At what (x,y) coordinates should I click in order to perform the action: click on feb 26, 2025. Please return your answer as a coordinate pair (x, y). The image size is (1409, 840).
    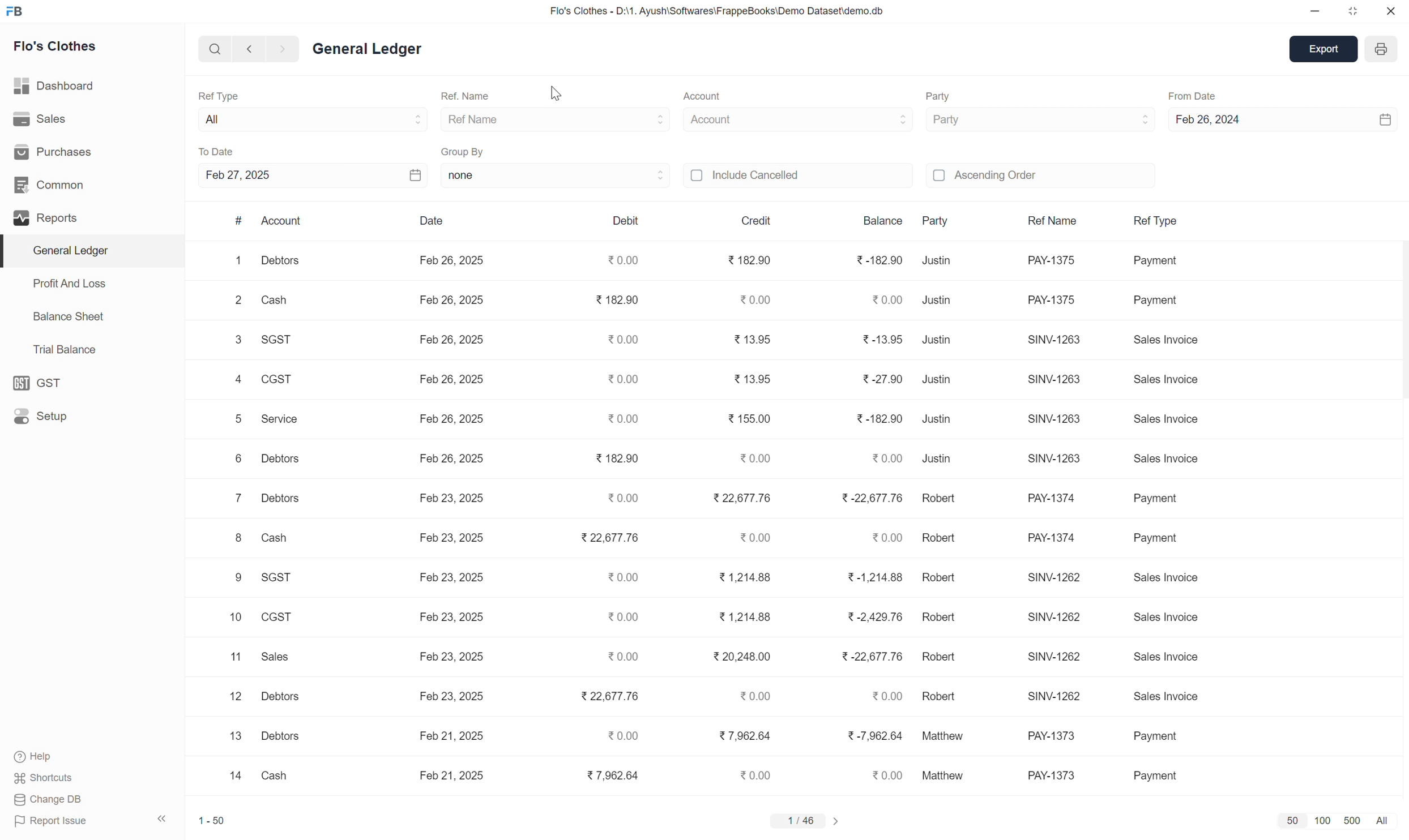
    Looking at the image, I should click on (452, 421).